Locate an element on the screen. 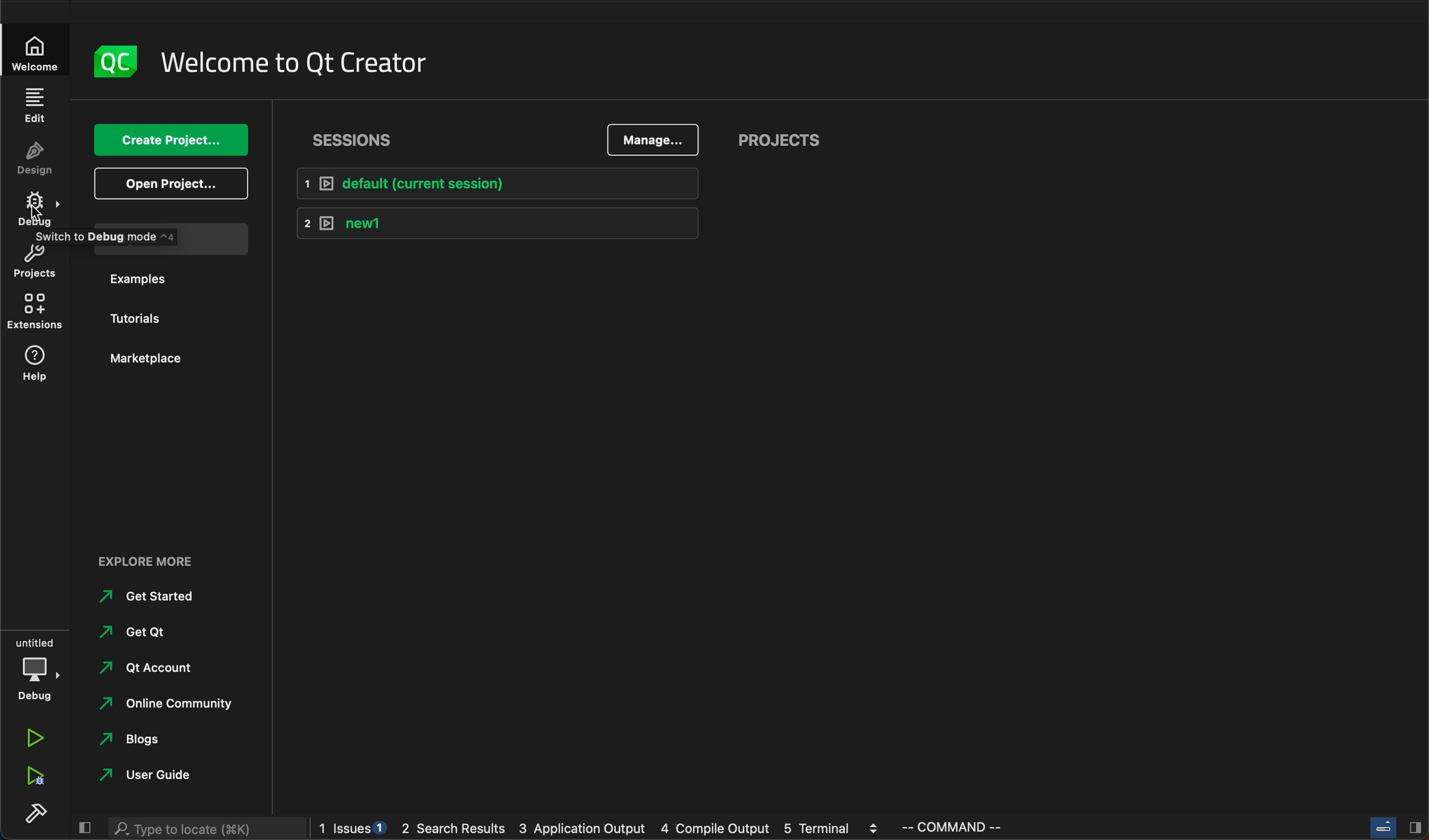 The height and width of the screenshot is (840, 1429). search result is located at coordinates (456, 831).